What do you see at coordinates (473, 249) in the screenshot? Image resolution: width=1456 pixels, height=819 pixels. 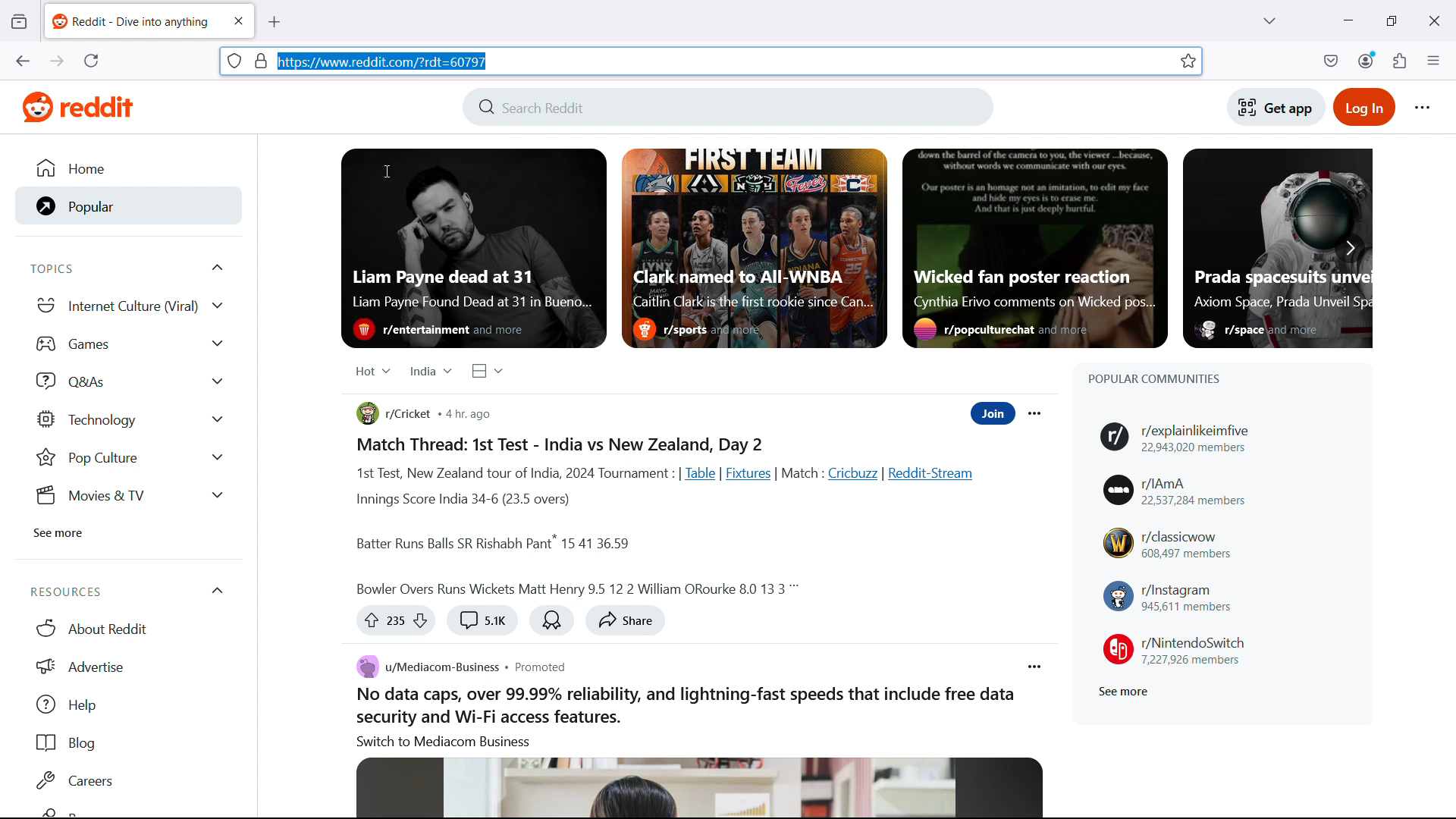 I see `Featured post 1` at bounding box center [473, 249].